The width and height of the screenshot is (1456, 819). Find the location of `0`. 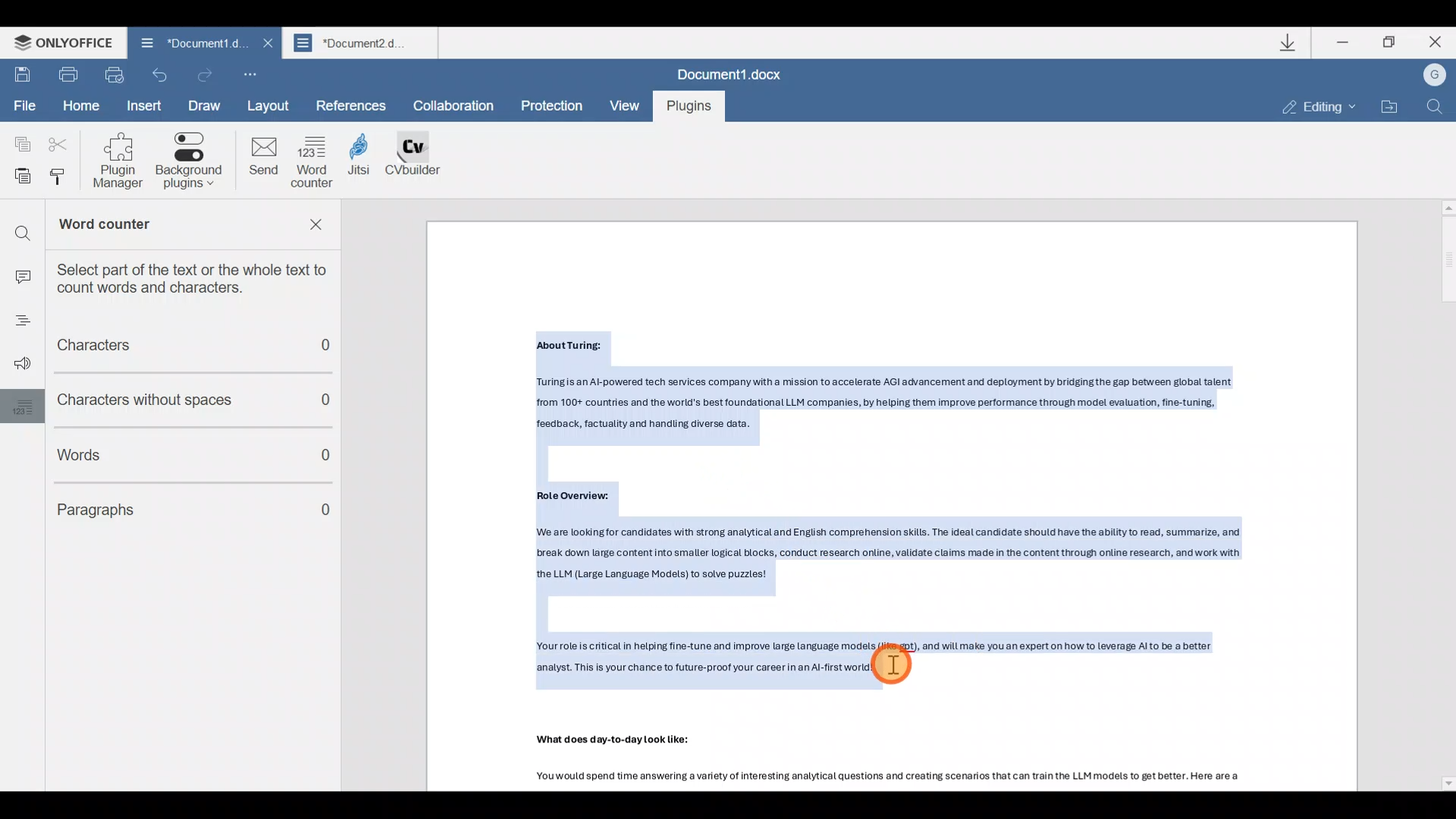

0 is located at coordinates (328, 512).